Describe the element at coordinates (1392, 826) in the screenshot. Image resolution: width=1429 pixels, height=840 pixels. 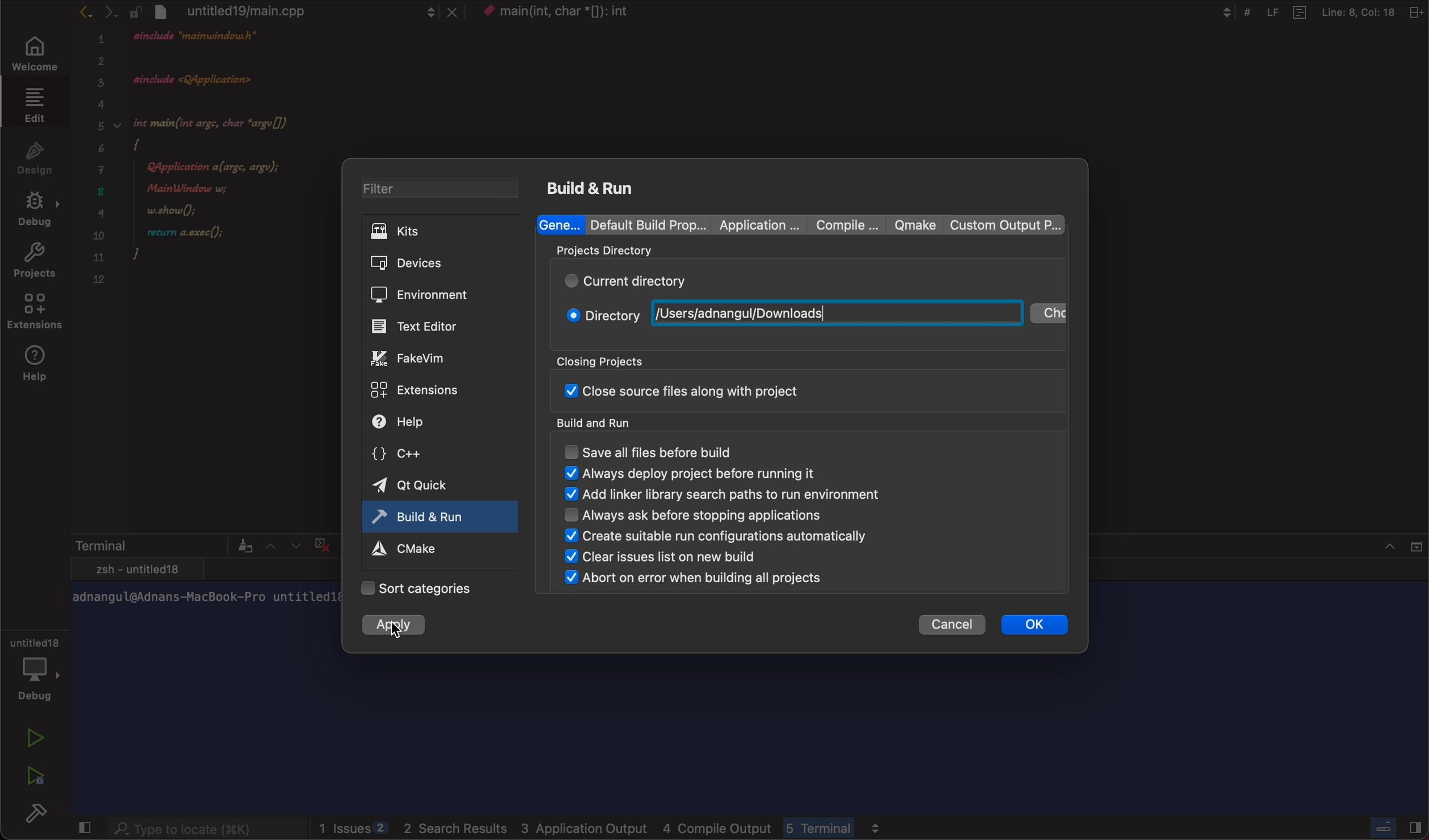
I see `close slidebar` at that location.